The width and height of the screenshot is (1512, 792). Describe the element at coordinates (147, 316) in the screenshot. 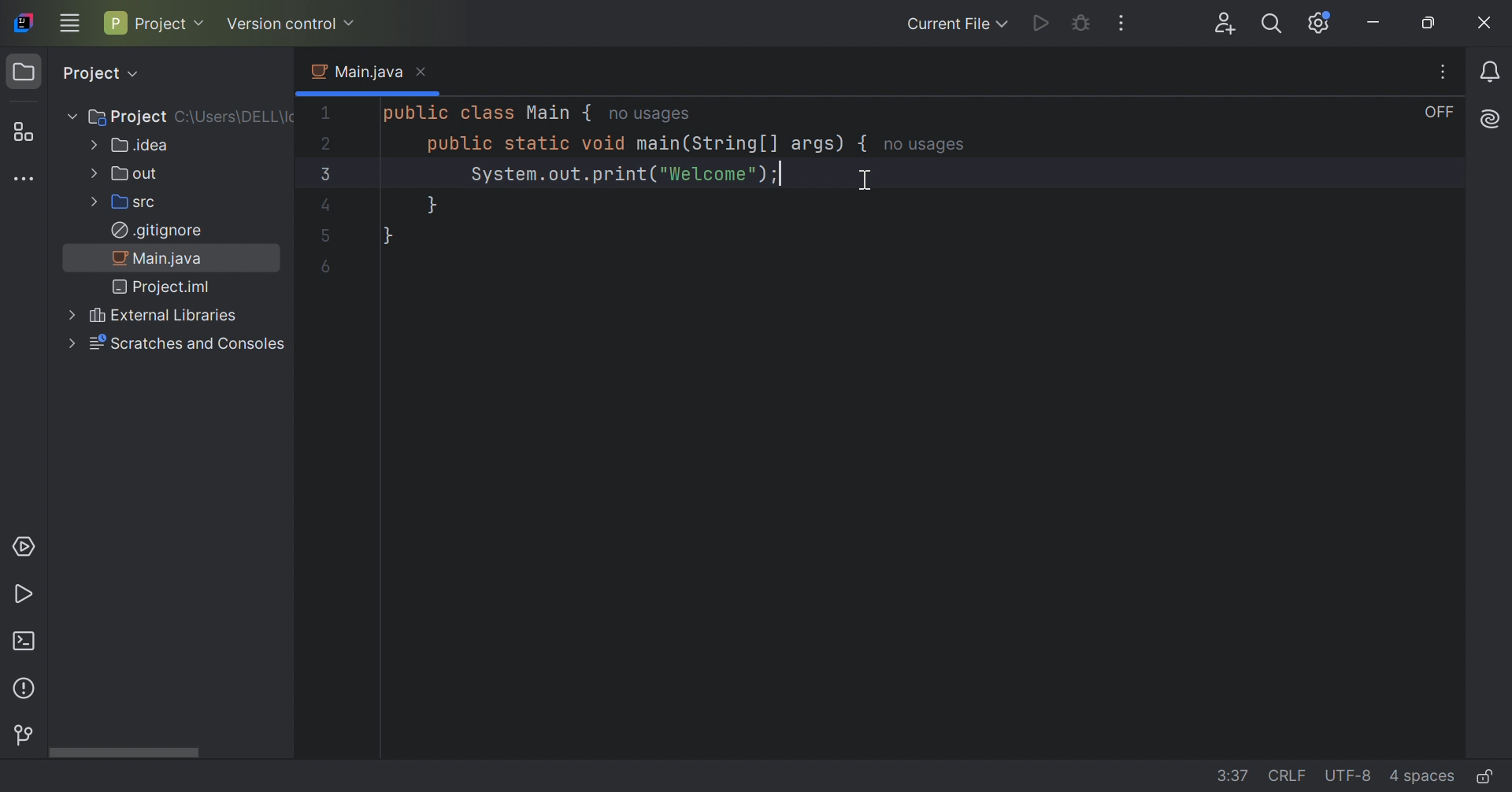

I see `External Libraries` at that location.